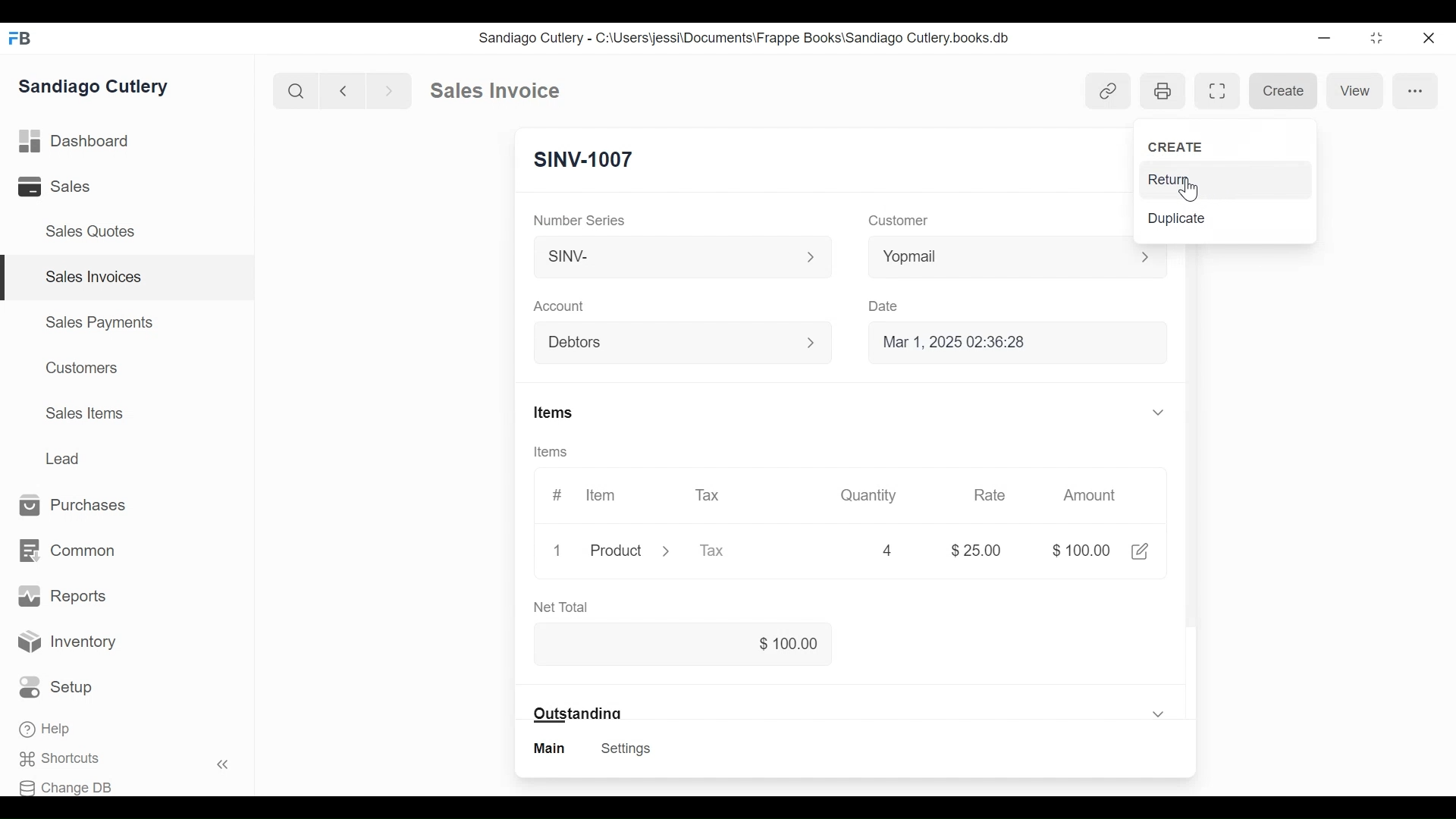 The height and width of the screenshot is (819, 1456). Describe the element at coordinates (849, 711) in the screenshot. I see `Outstanding` at that location.